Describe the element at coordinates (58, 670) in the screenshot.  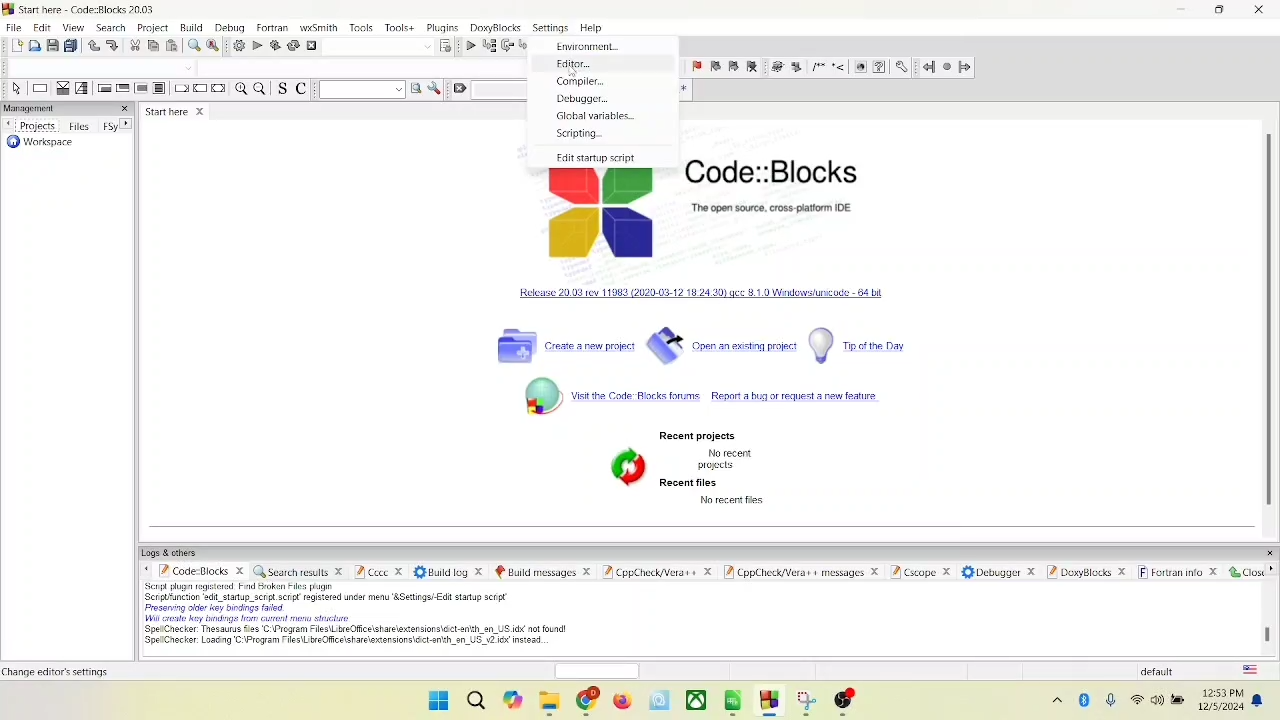
I see `start here` at that location.